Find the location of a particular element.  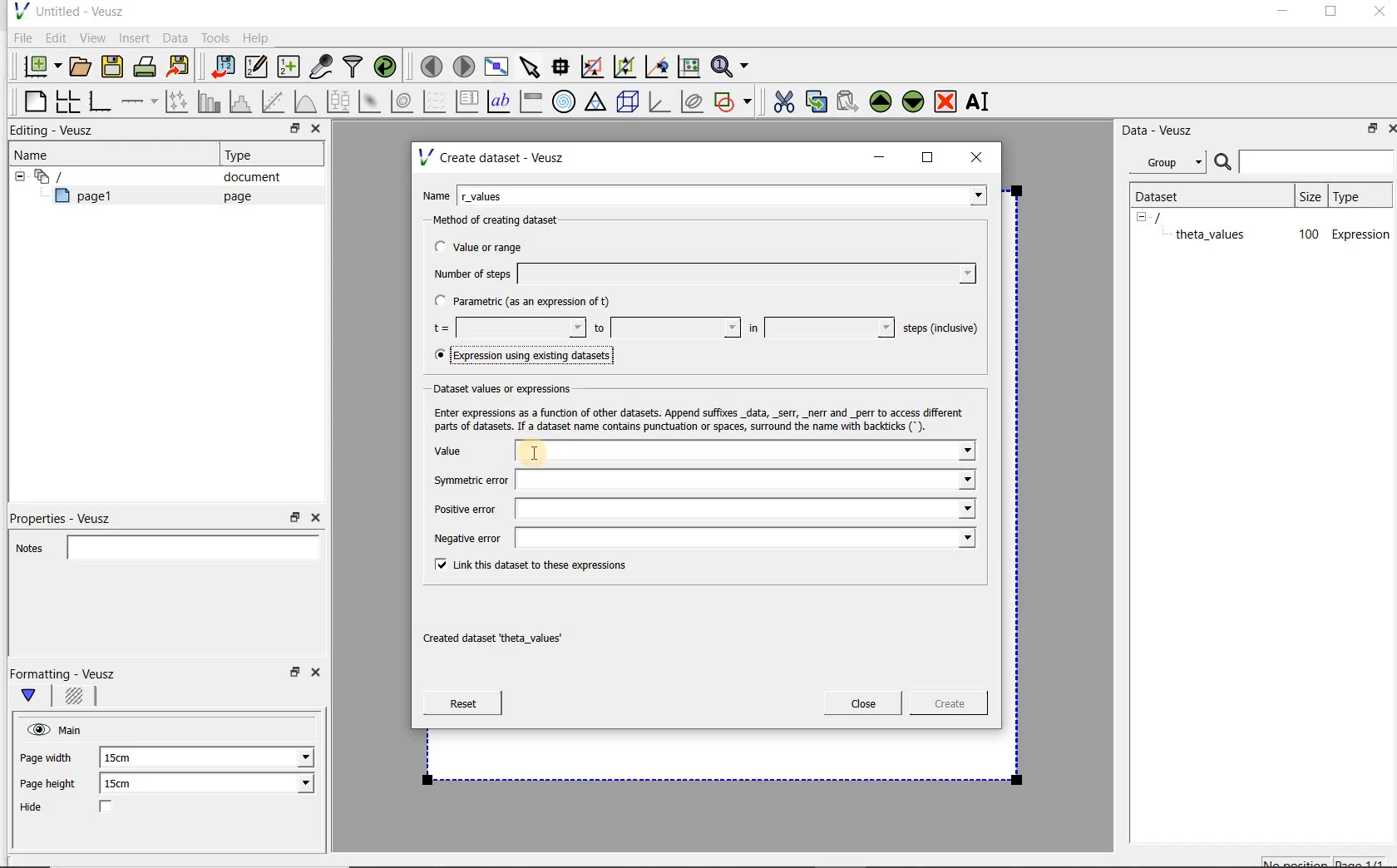

in  is located at coordinates (819, 328).